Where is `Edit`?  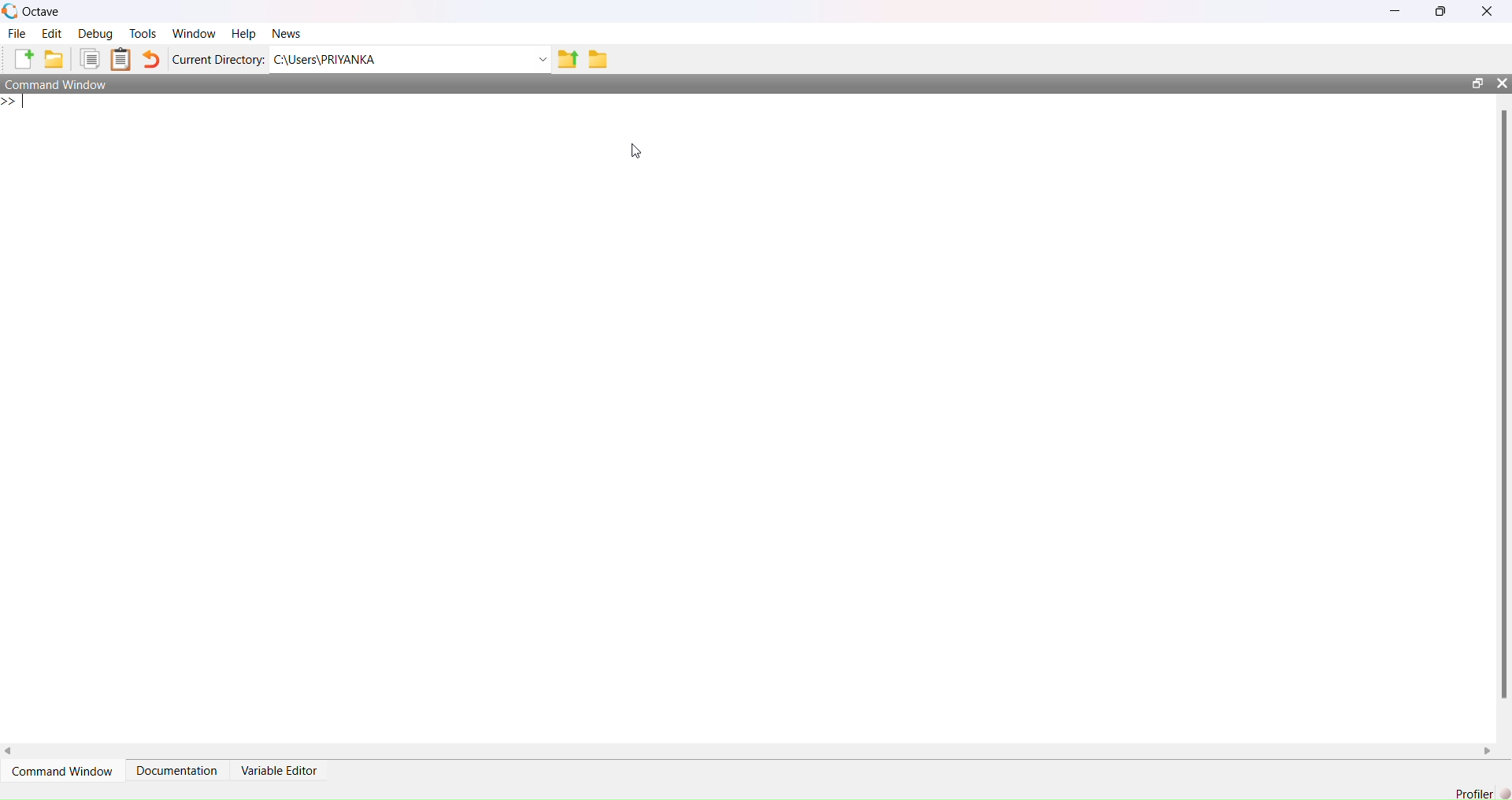 Edit is located at coordinates (52, 33).